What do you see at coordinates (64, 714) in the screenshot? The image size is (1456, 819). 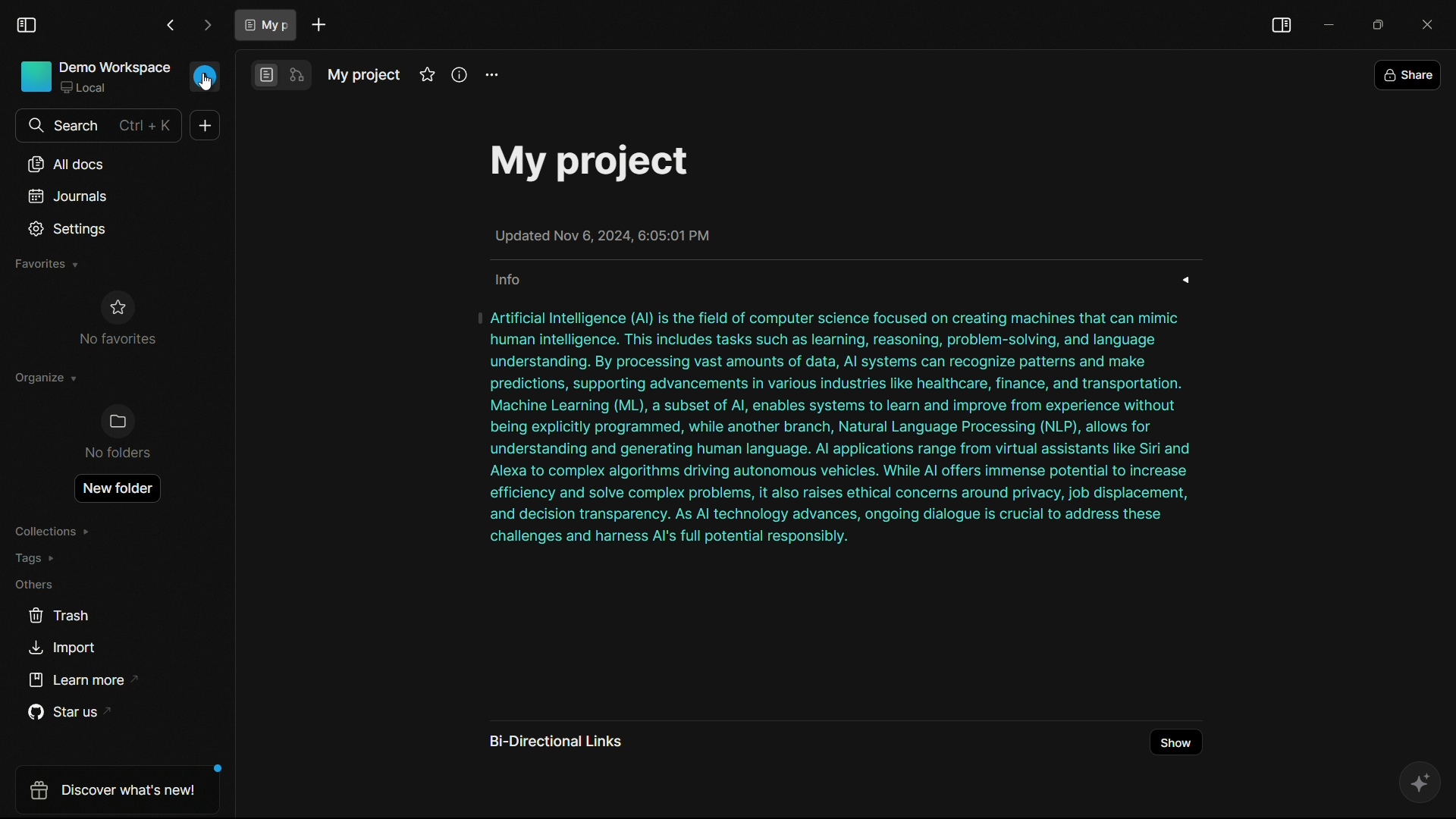 I see `star us` at bounding box center [64, 714].